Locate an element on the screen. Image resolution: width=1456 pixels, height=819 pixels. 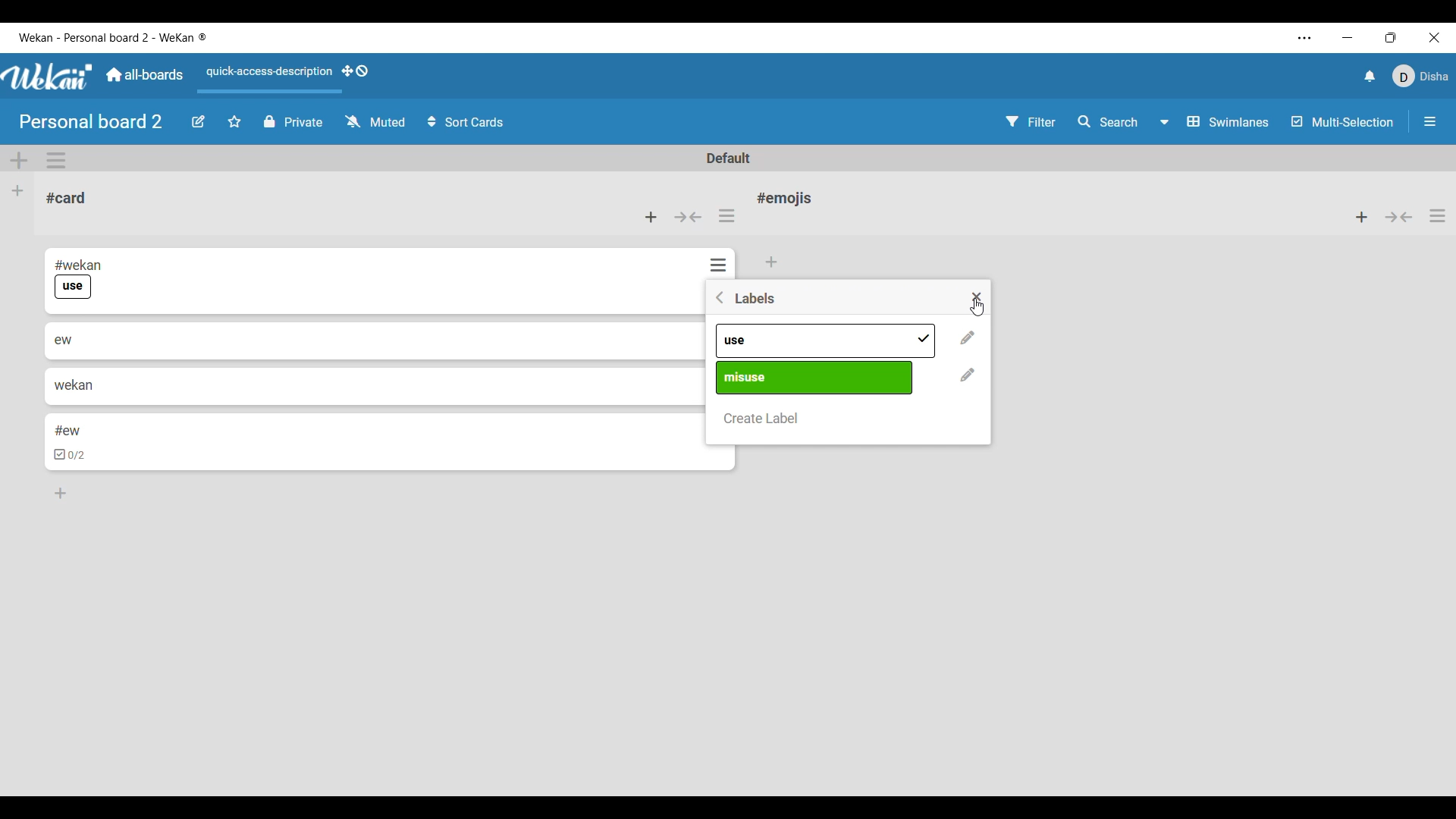
Minimize is located at coordinates (1347, 38).